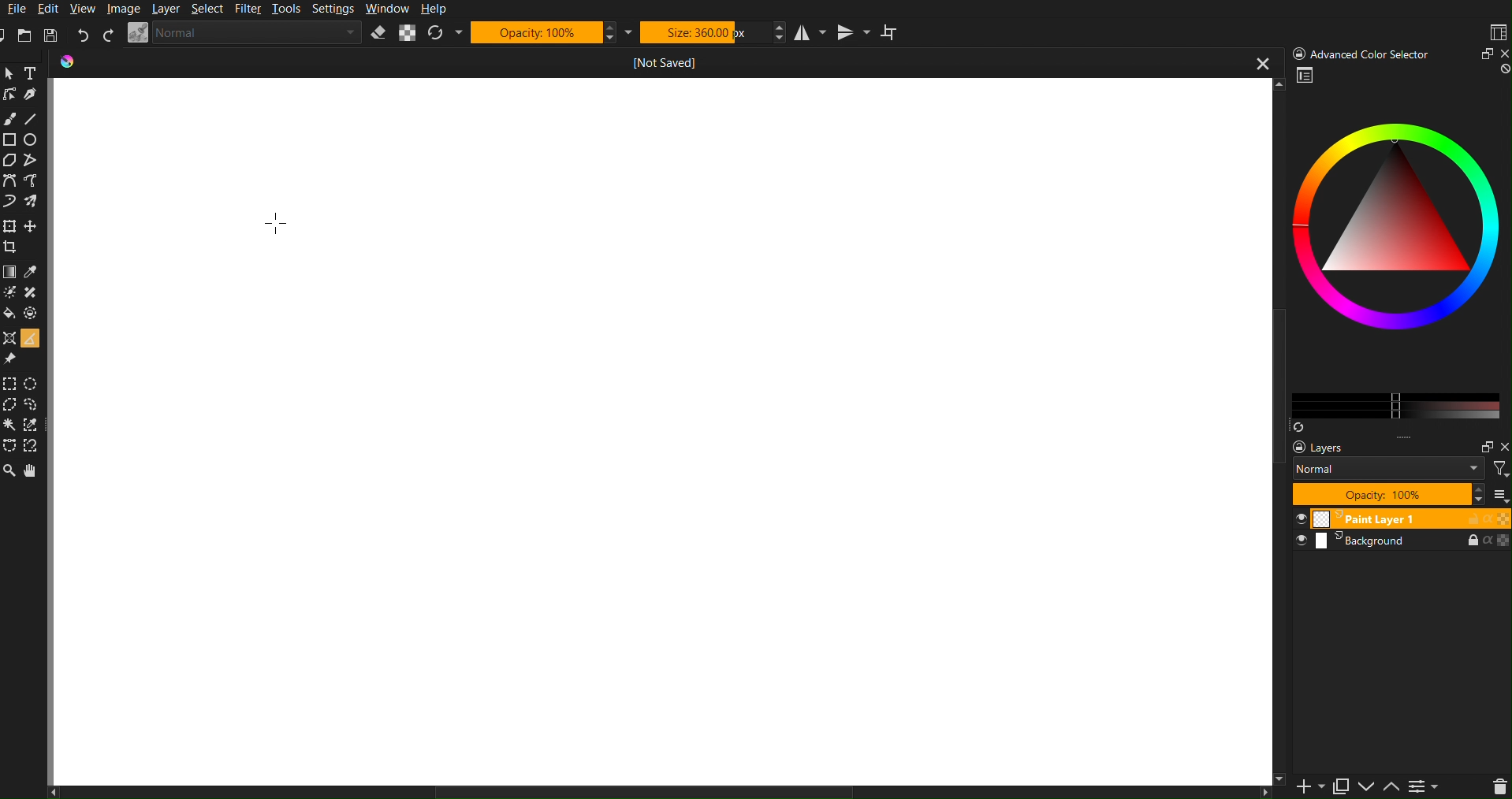 The height and width of the screenshot is (799, 1512). Describe the element at coordinates (210, 9) in the screenshot. I see `Select` at that location.